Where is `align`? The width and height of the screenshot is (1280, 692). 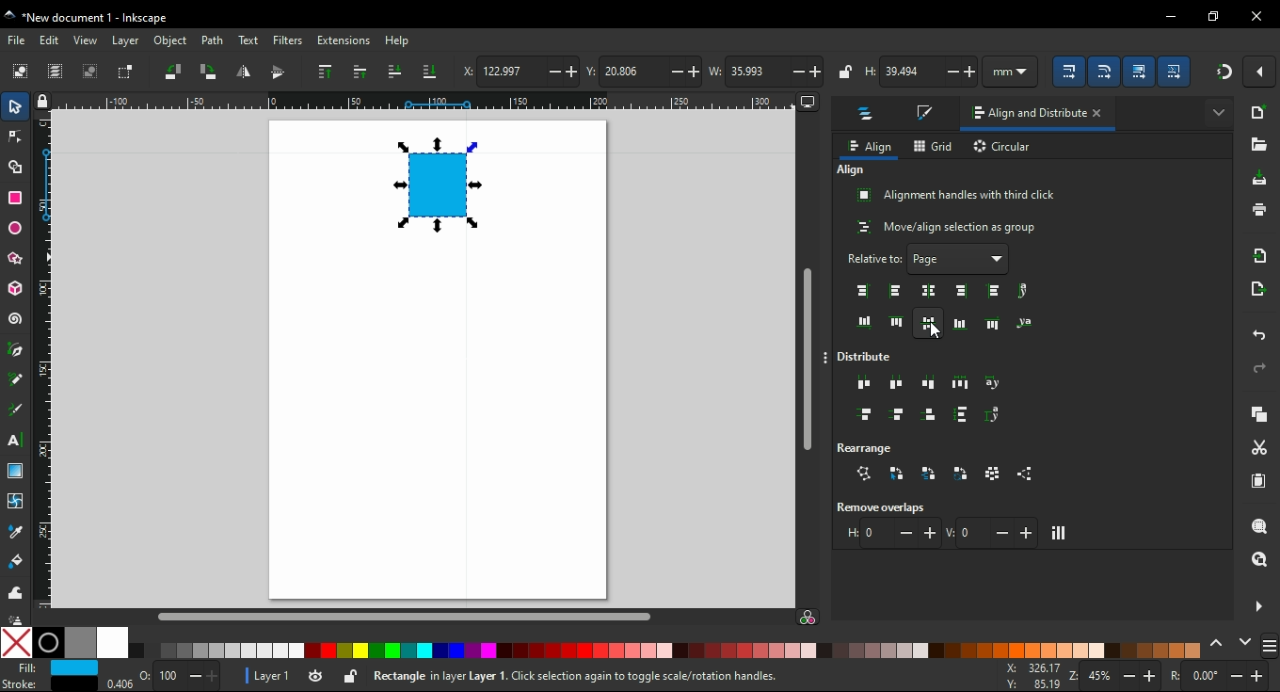 align is located at coordinates (869, 147).